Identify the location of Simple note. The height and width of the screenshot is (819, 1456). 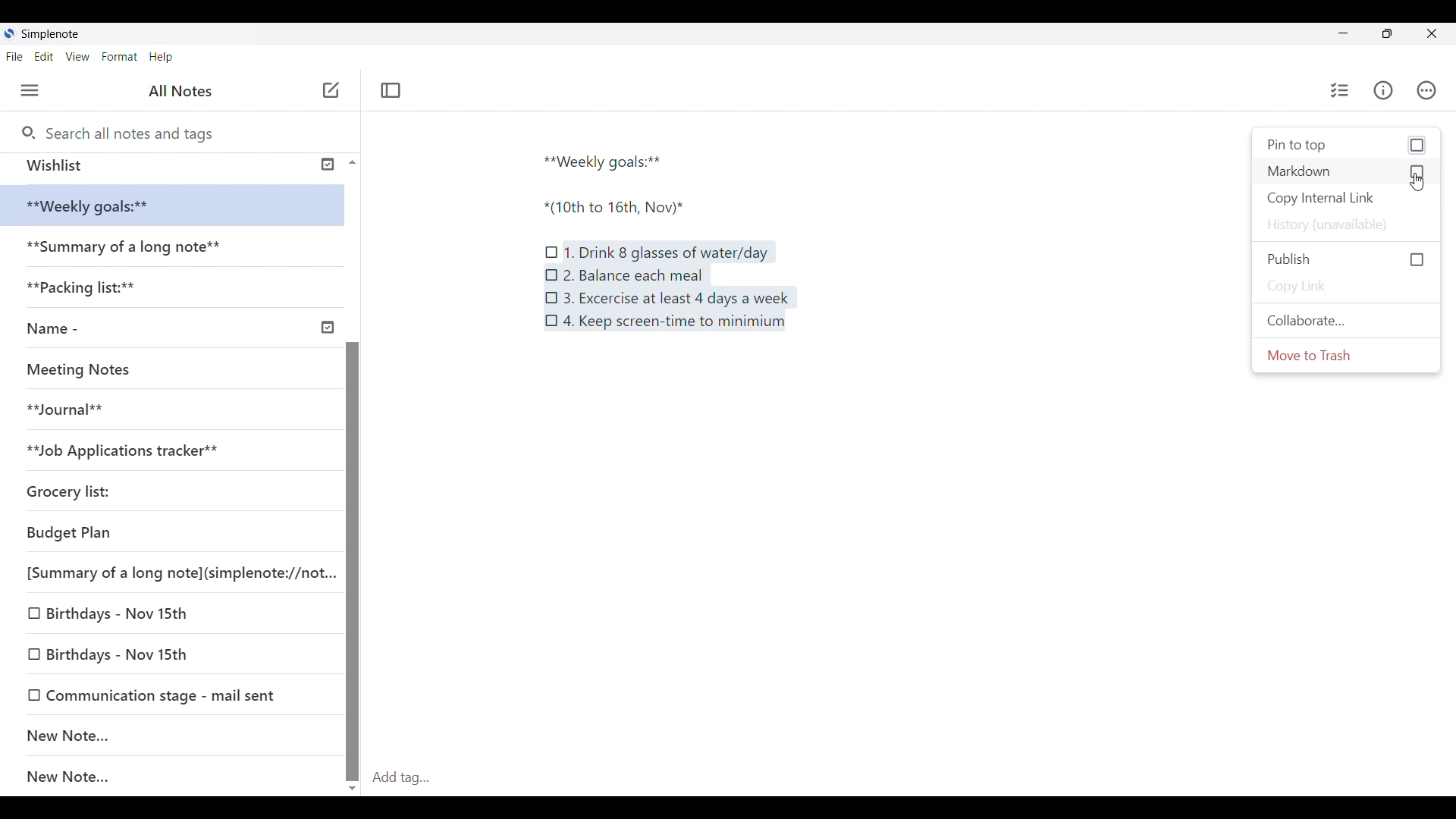
(52, 33).